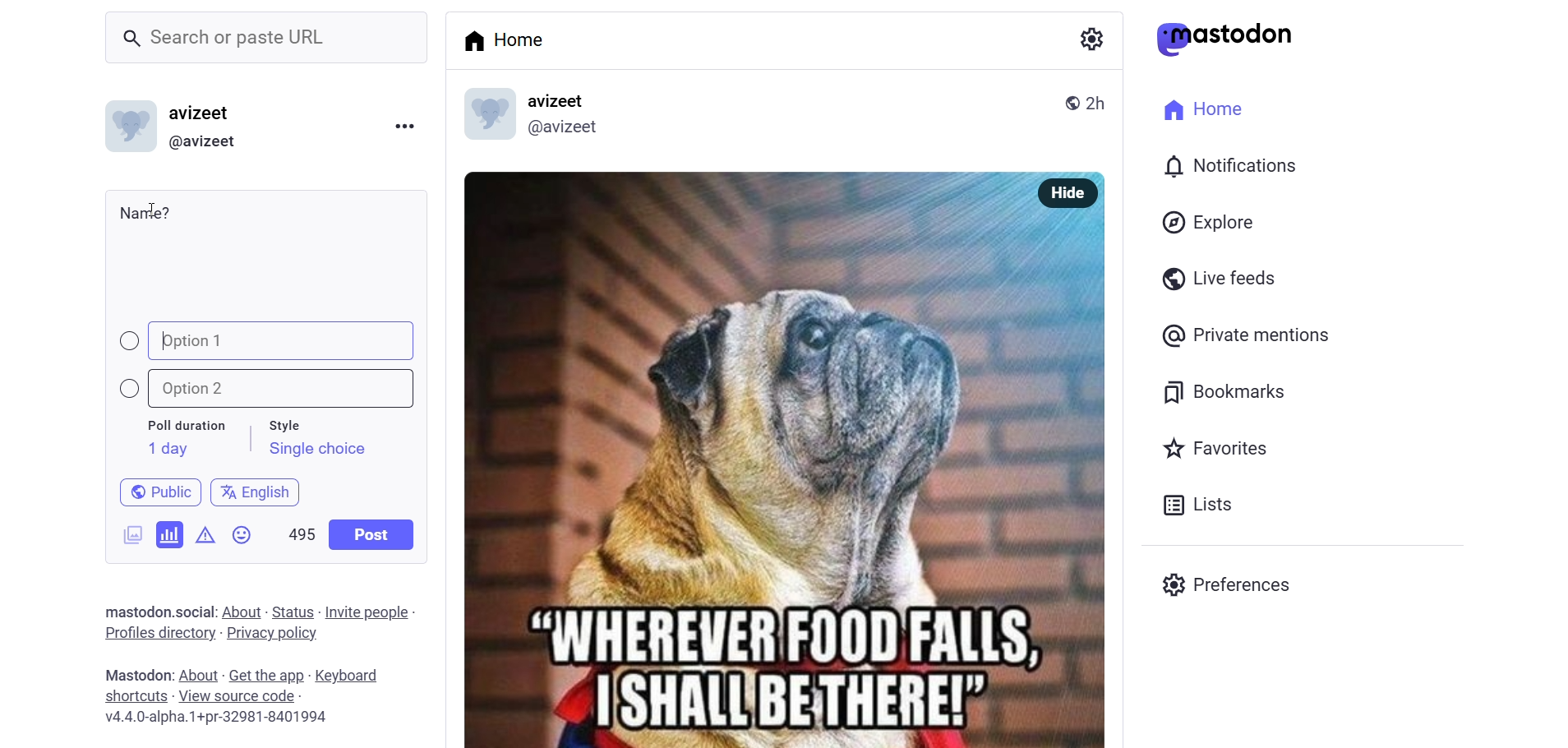  I want to click on version, so click(218, 719).